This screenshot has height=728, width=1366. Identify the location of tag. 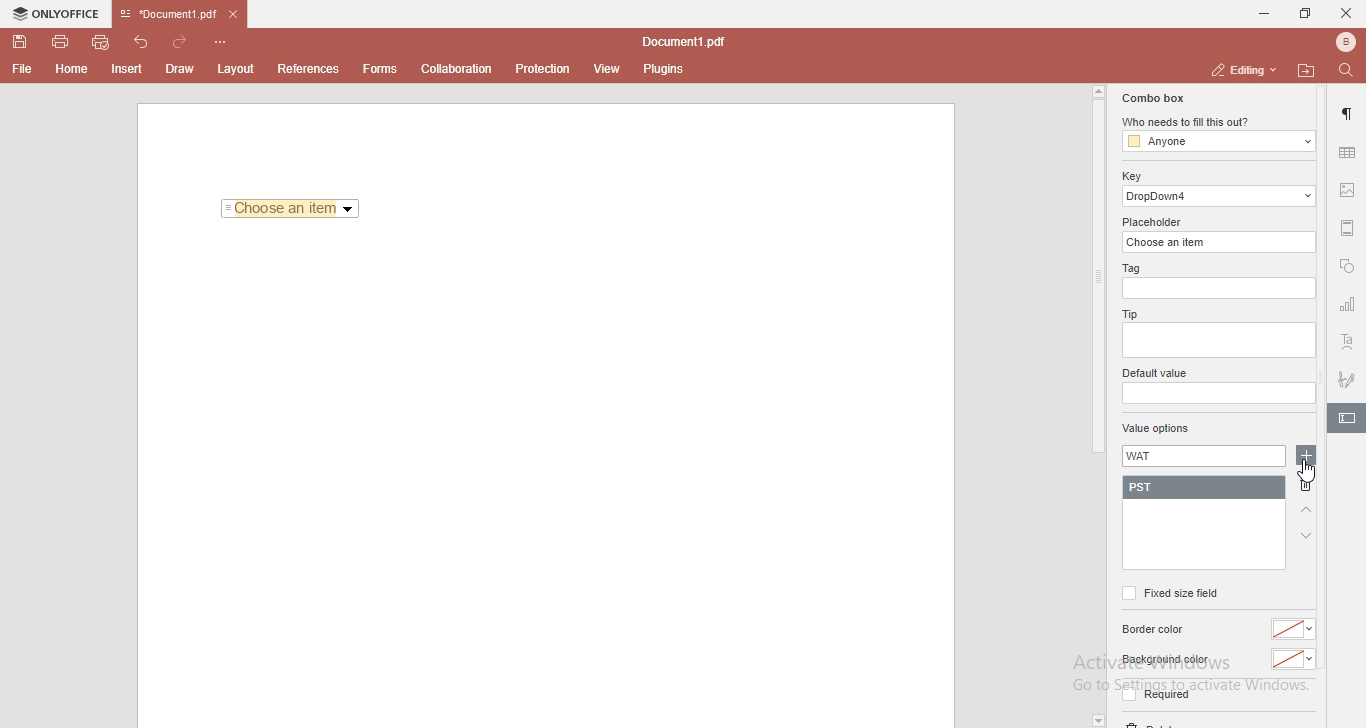
(1129, 269).